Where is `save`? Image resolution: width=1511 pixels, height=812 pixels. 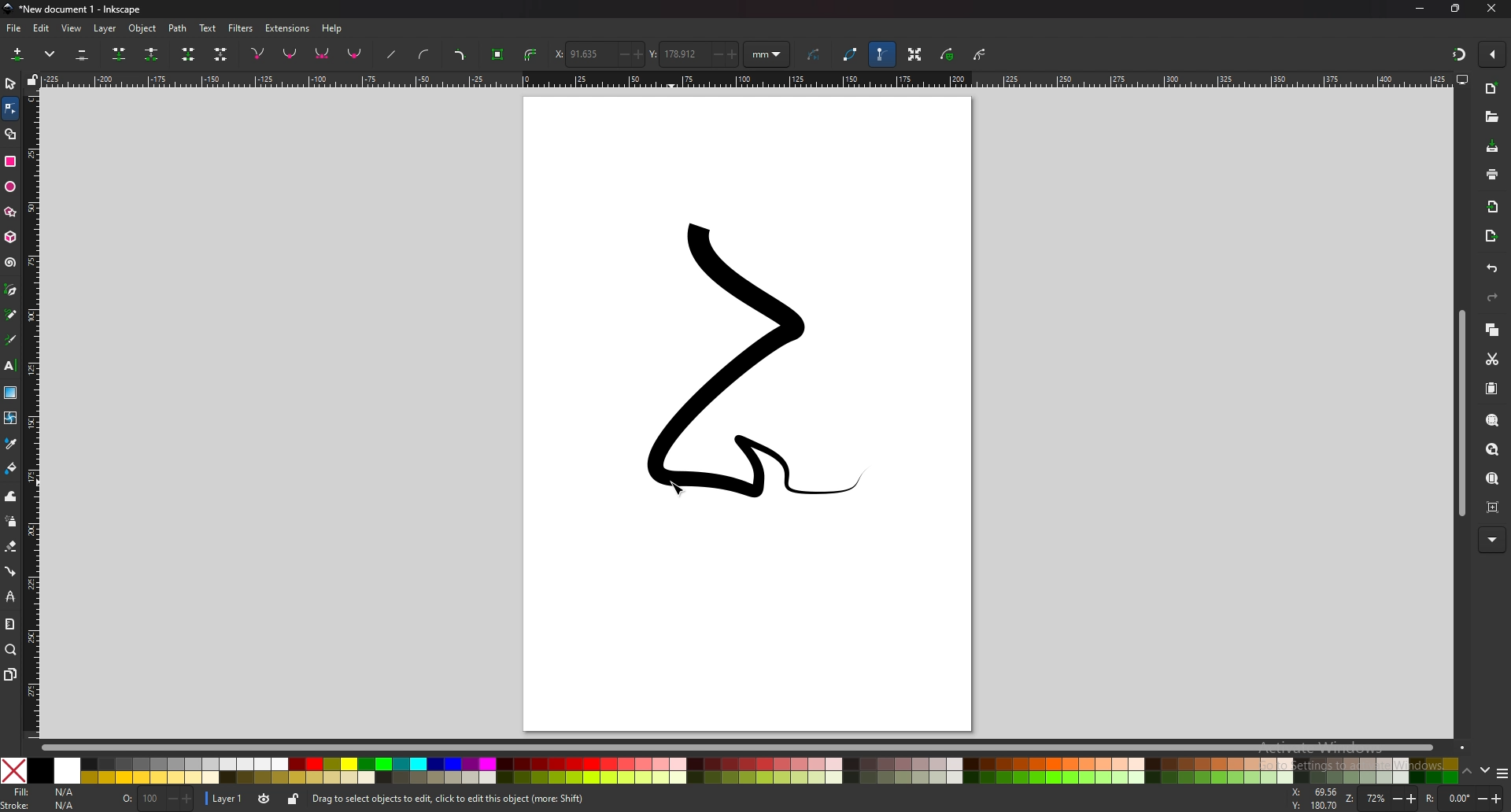
save is located at coordinates (1491, 148).